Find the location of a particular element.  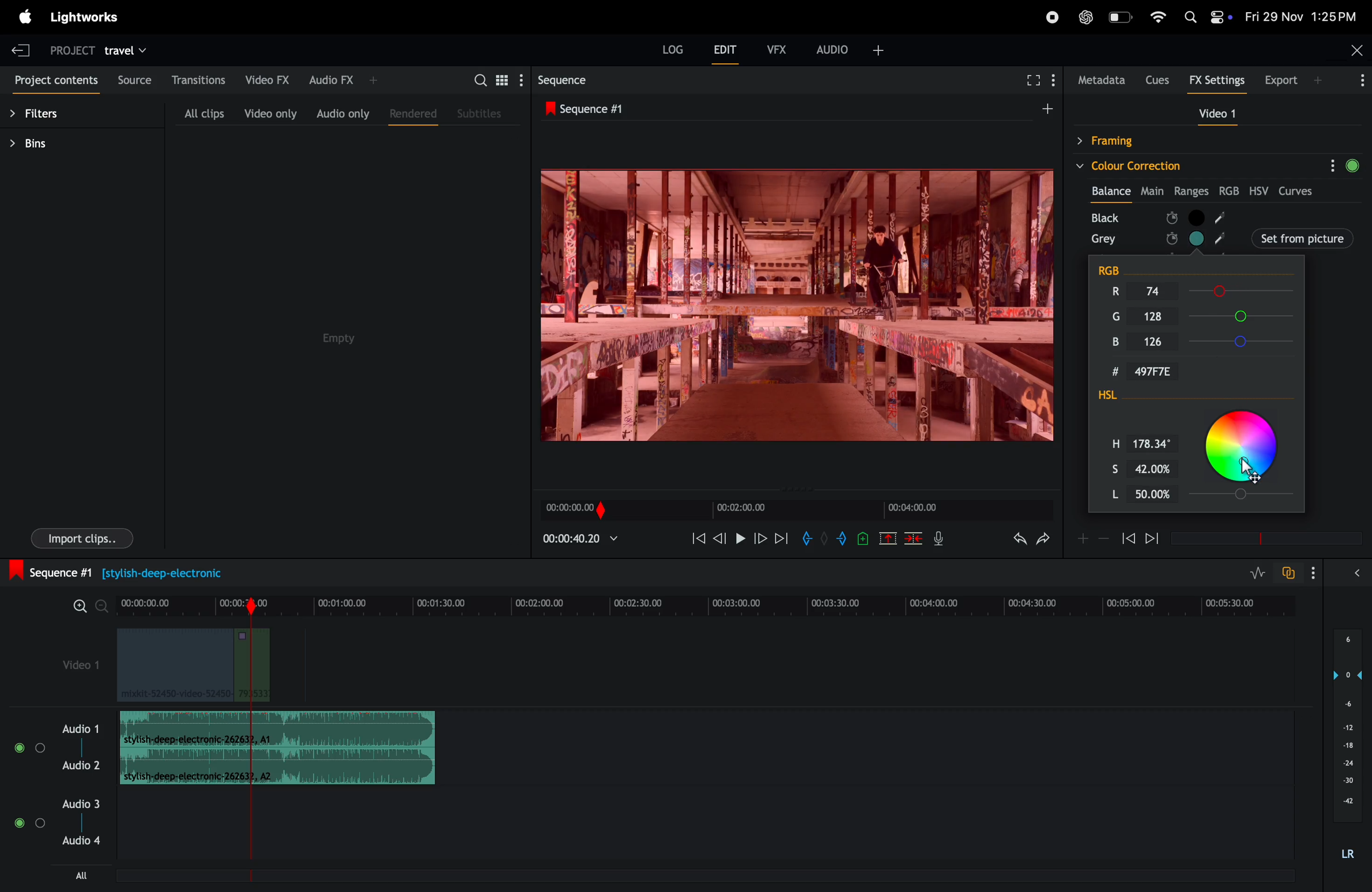

HSL is located at coordinates (1129, 397).